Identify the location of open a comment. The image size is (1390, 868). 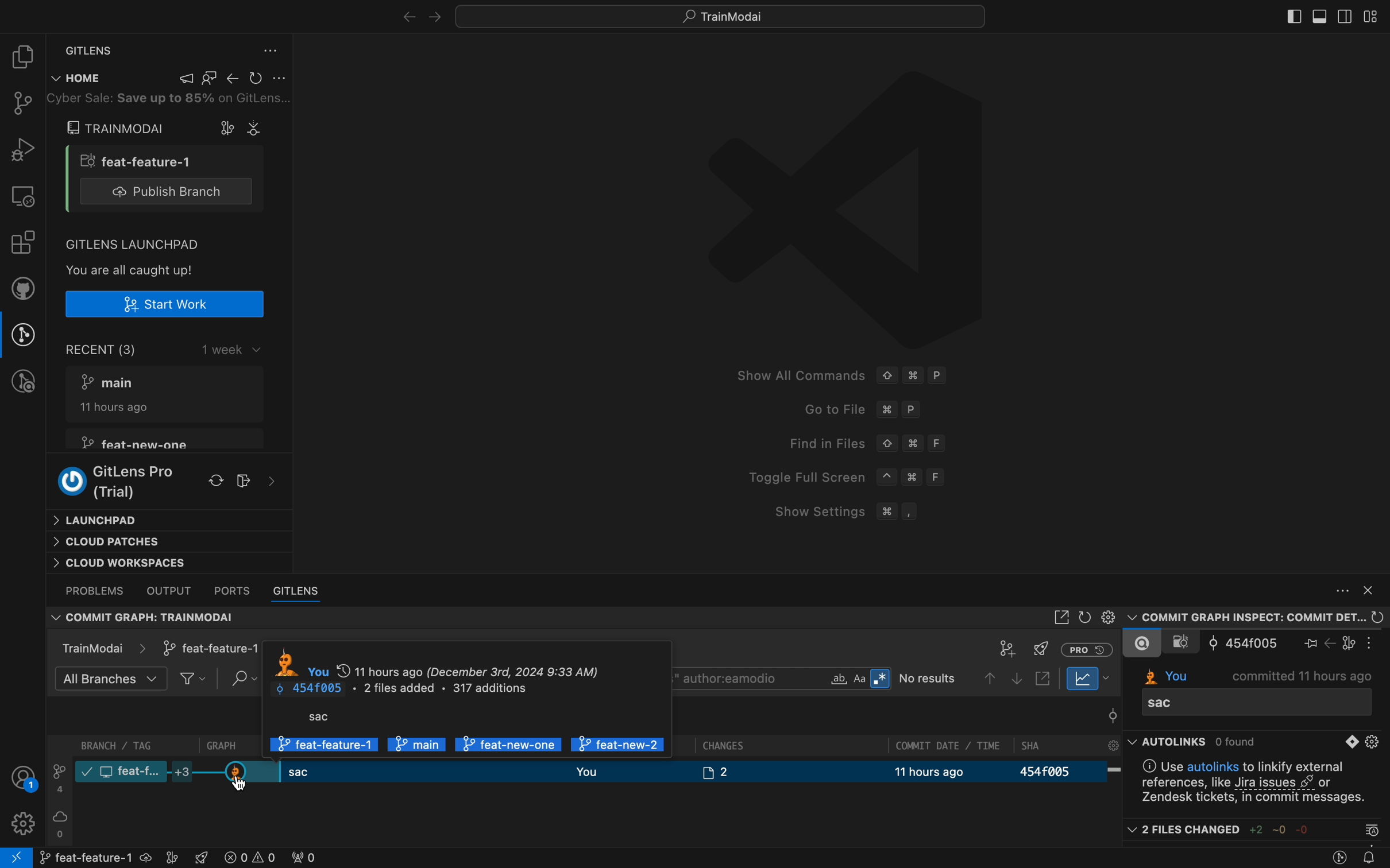
(213, 157).